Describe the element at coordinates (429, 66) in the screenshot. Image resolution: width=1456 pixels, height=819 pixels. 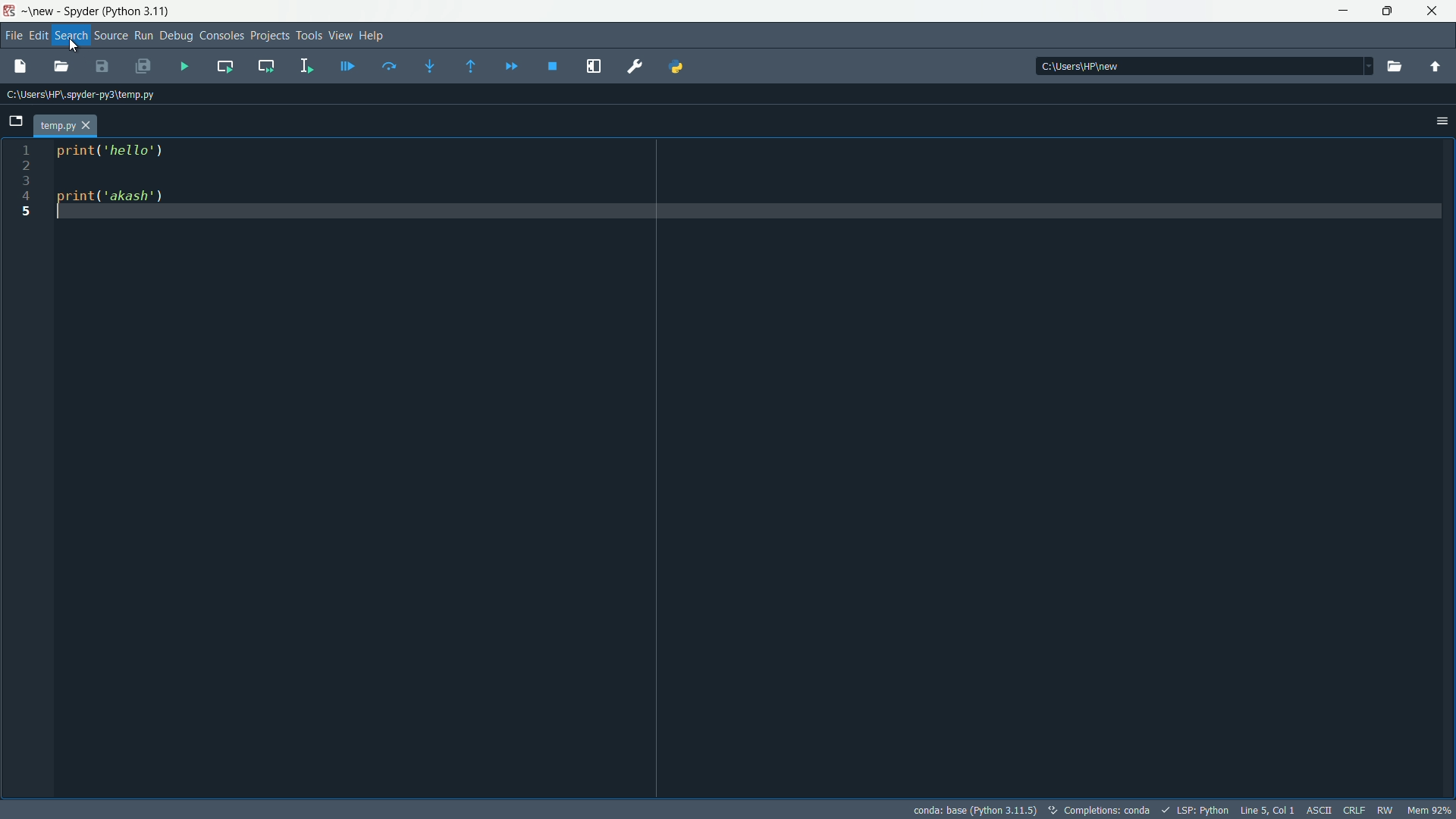
I see `step into function` at that location.